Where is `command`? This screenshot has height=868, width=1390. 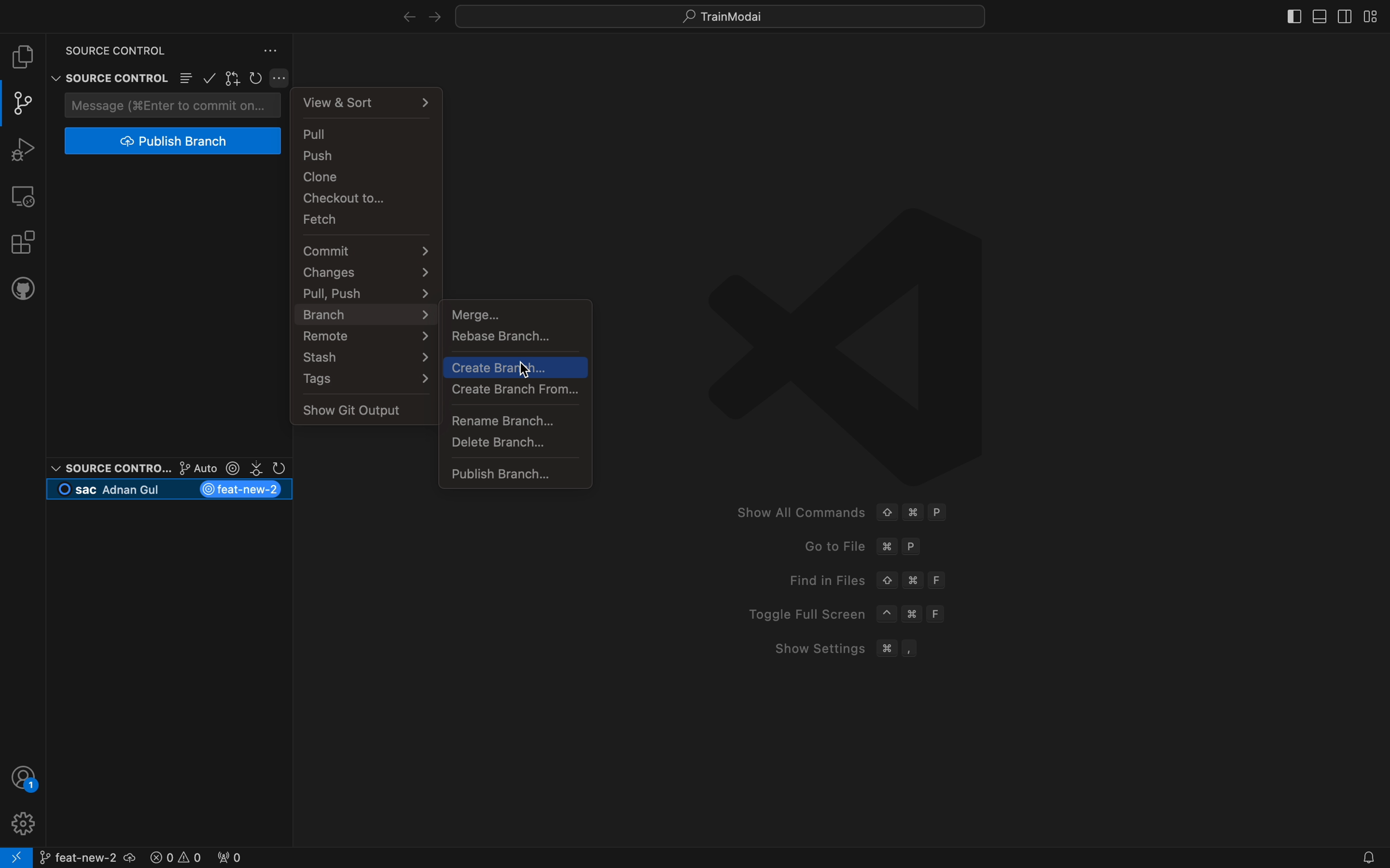
command is located at coordinates (887, 547).